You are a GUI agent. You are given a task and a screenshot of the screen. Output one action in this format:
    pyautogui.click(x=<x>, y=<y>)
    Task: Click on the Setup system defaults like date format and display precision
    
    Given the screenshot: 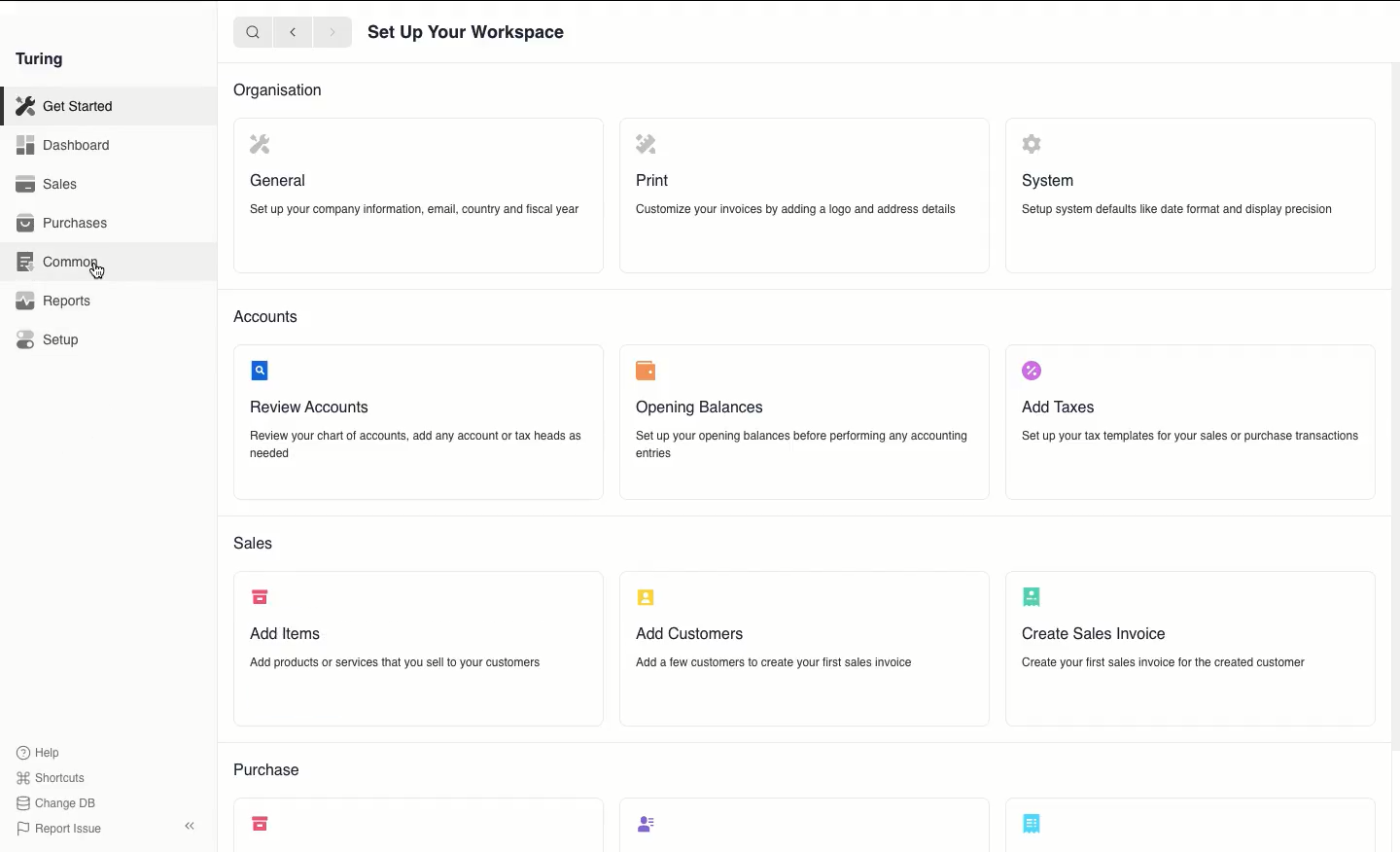 What is the action you would take?
    pyautogui.click(x=1172, y=211)
    